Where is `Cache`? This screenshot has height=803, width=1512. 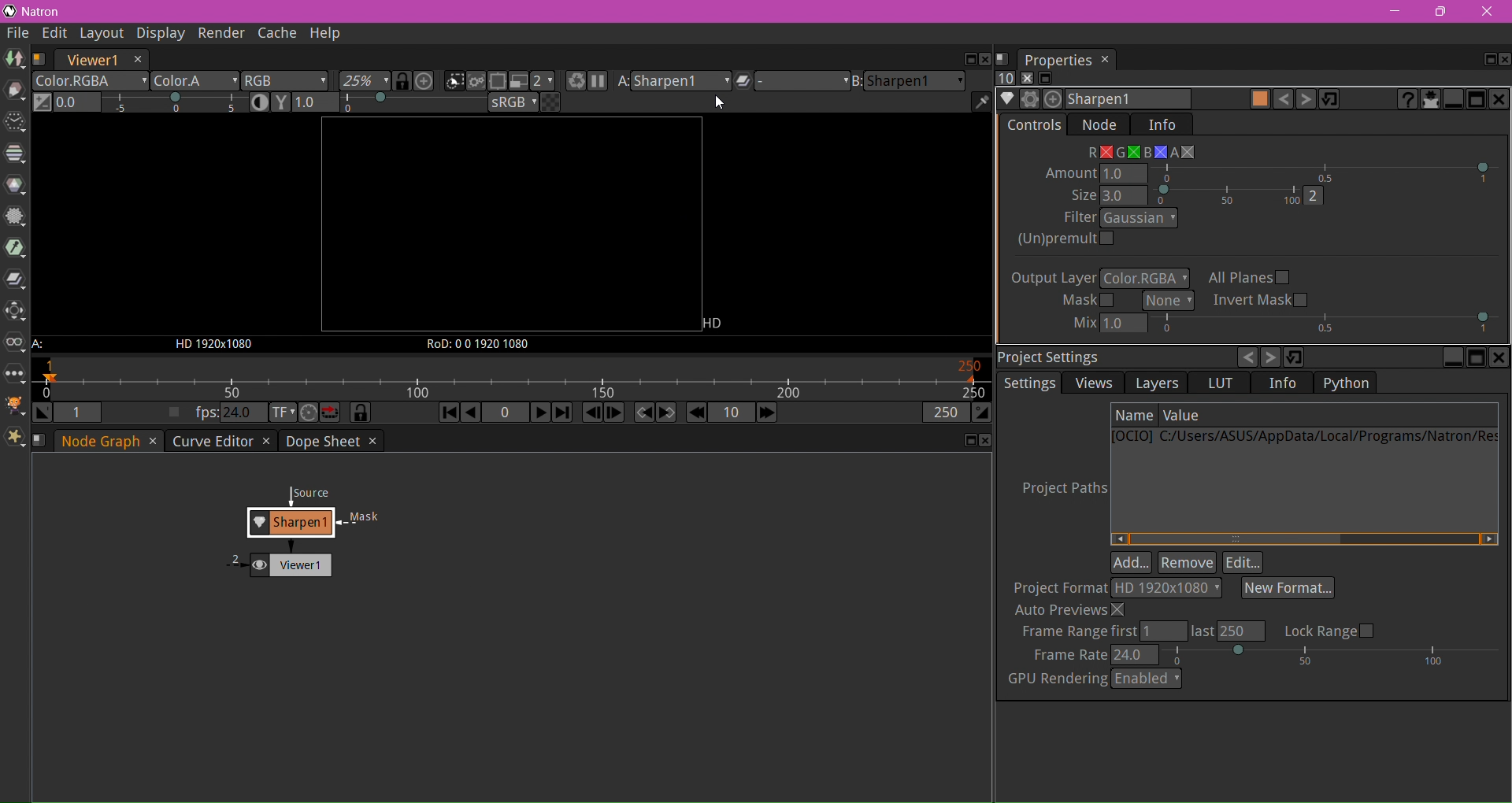
Cache is located at coordinates (276, 35).